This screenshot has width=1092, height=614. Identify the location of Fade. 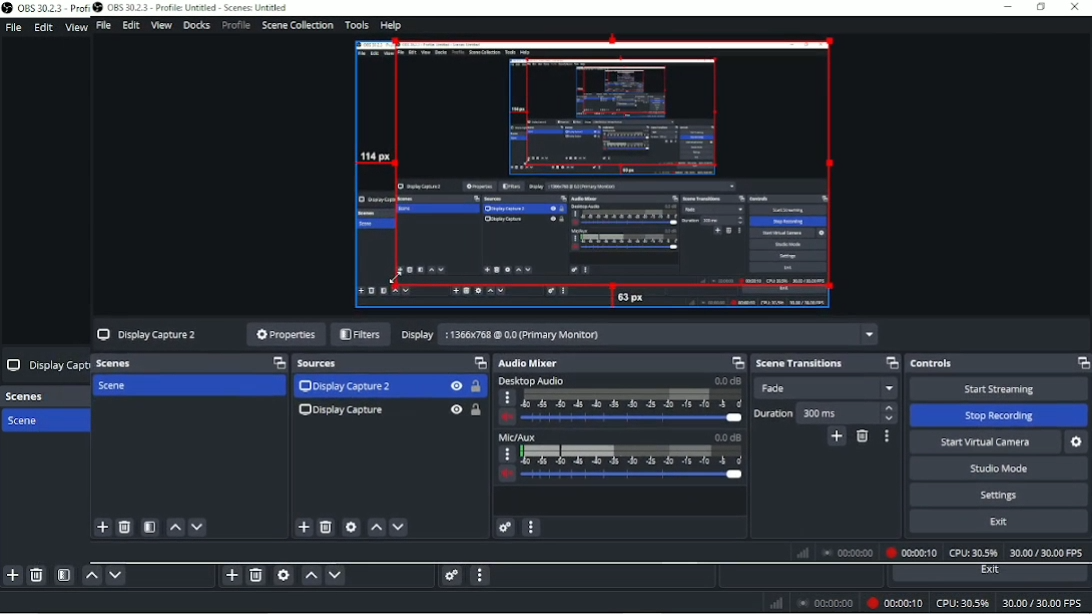
(829, 386).